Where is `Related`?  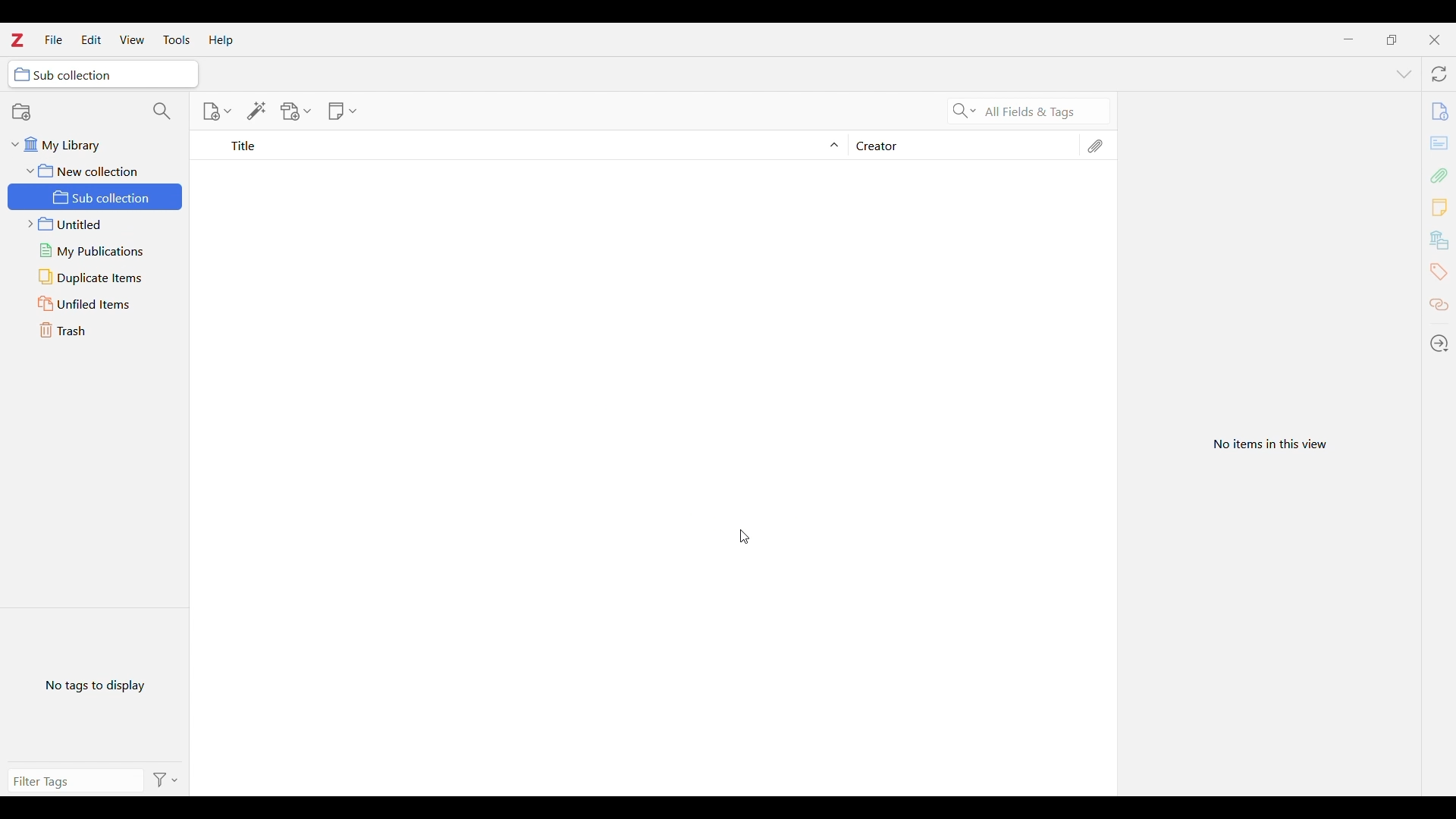 Related is located at coordinates (1439, 306).